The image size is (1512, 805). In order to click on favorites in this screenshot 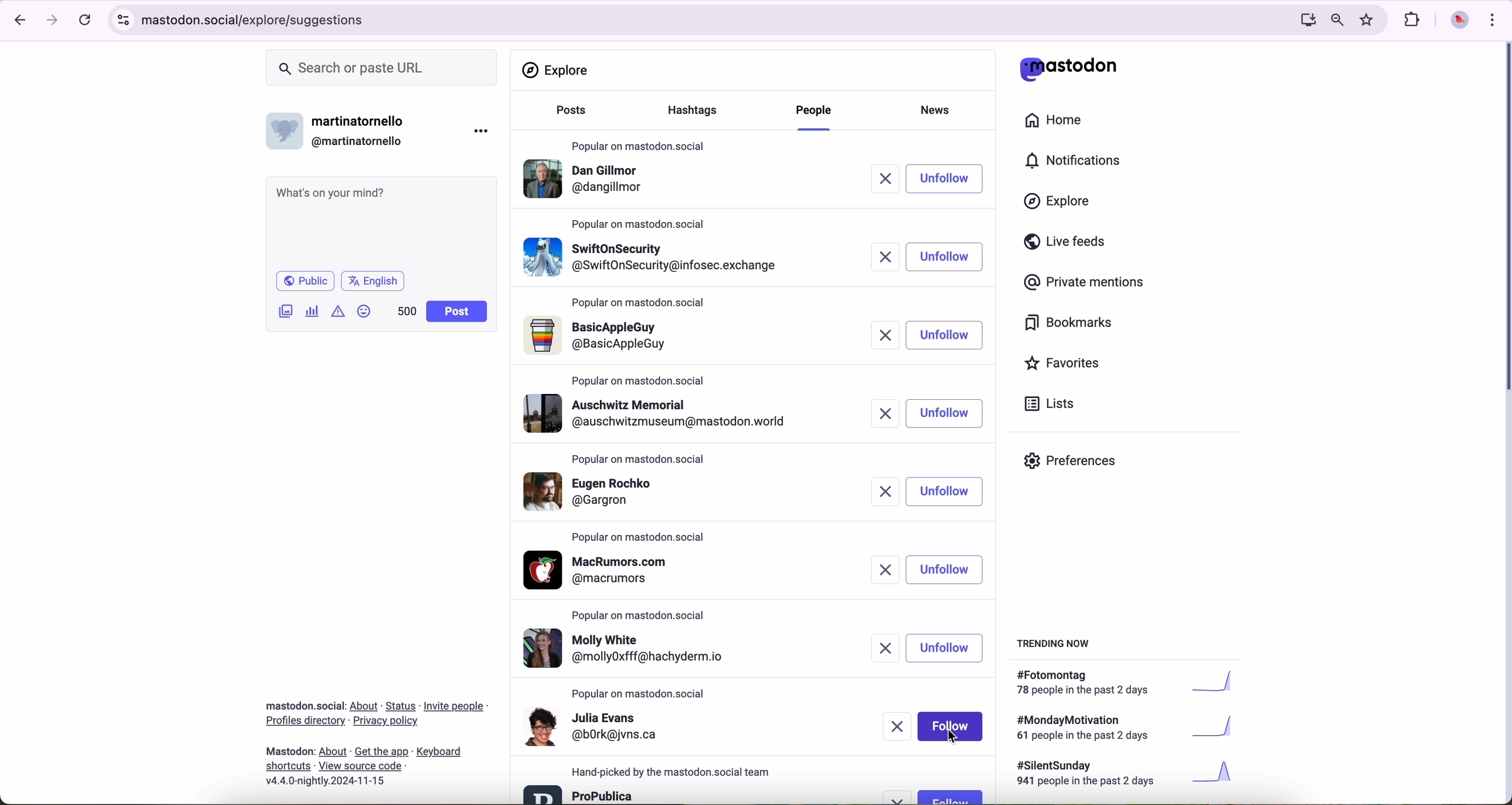, I will do `click(1067, 365)`.